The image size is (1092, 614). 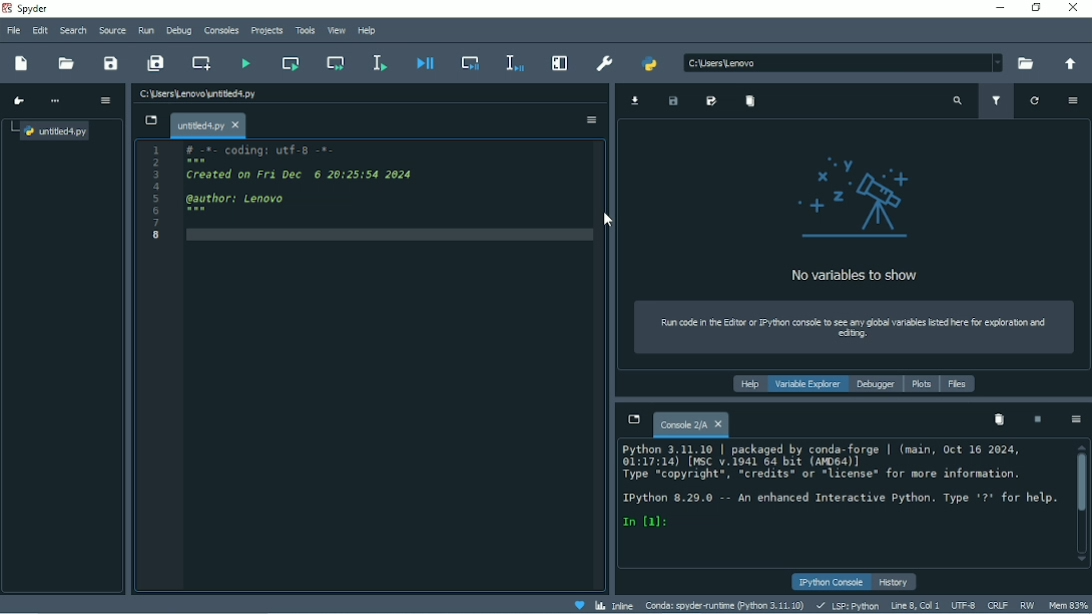 I want to click on File location, so click(x=840, y=63).